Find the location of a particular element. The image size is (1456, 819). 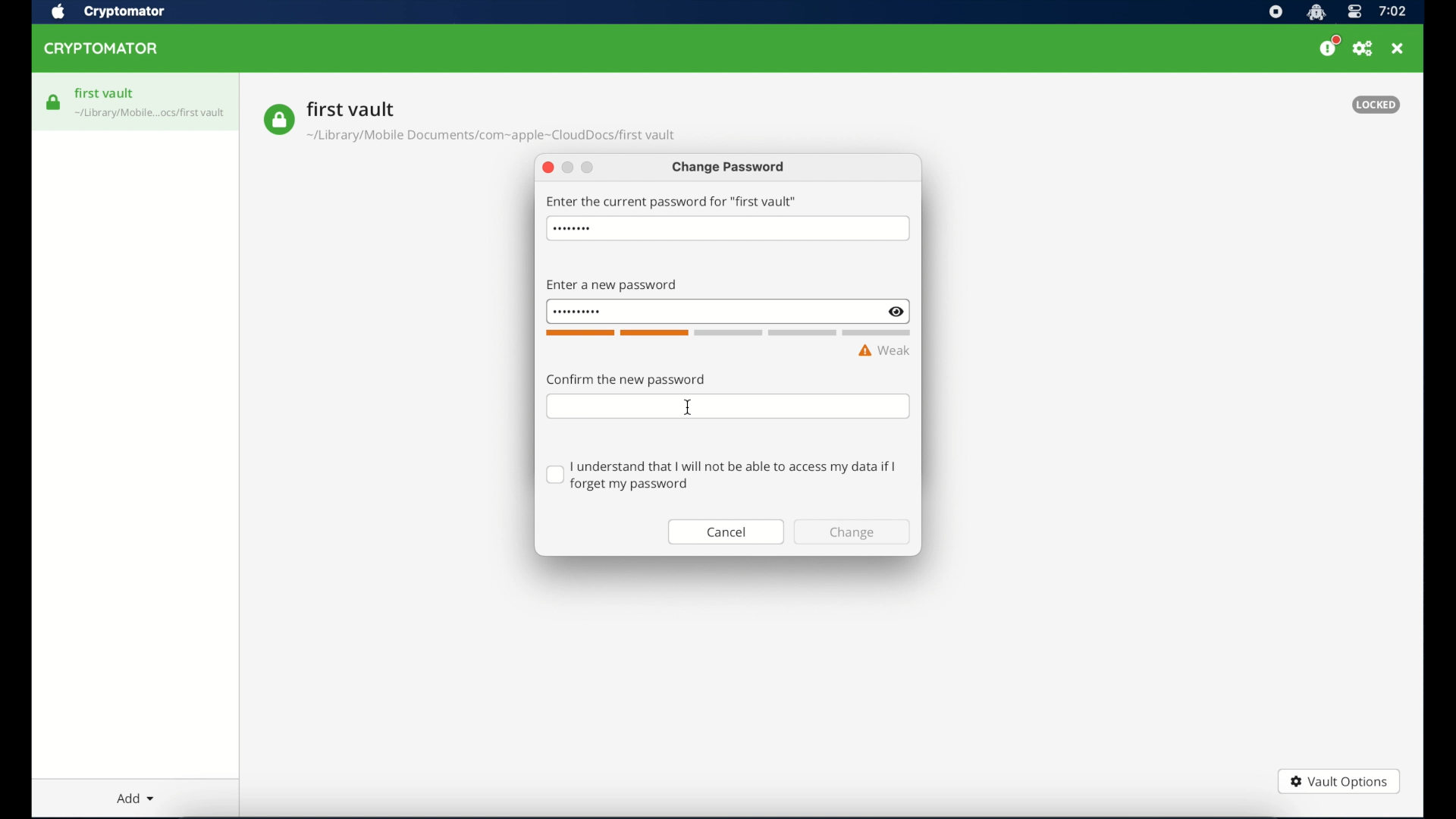

enter the current password for first vault is located at coordinates (671, 201).